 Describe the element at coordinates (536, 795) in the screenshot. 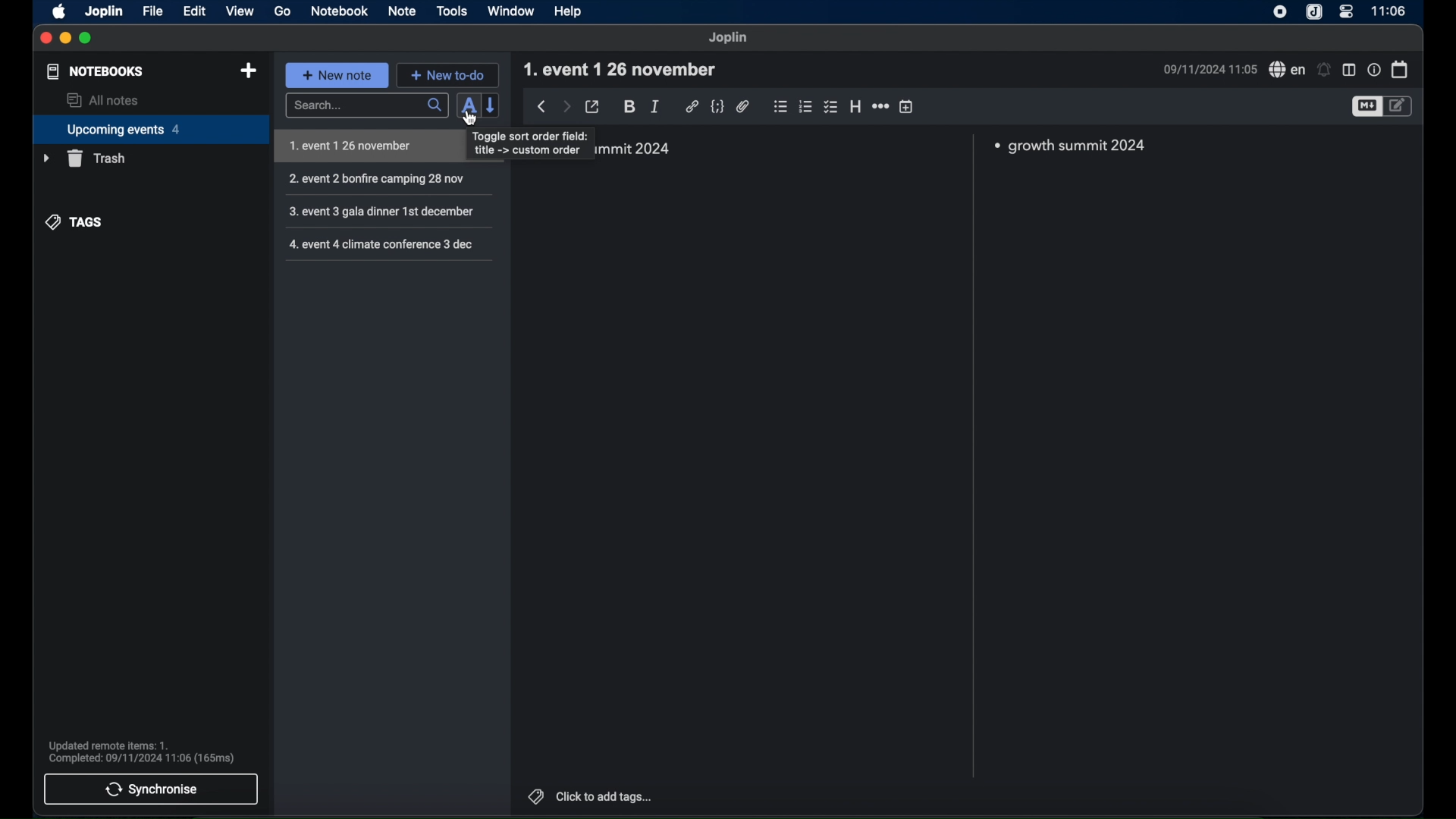

I see `tags` at that location.